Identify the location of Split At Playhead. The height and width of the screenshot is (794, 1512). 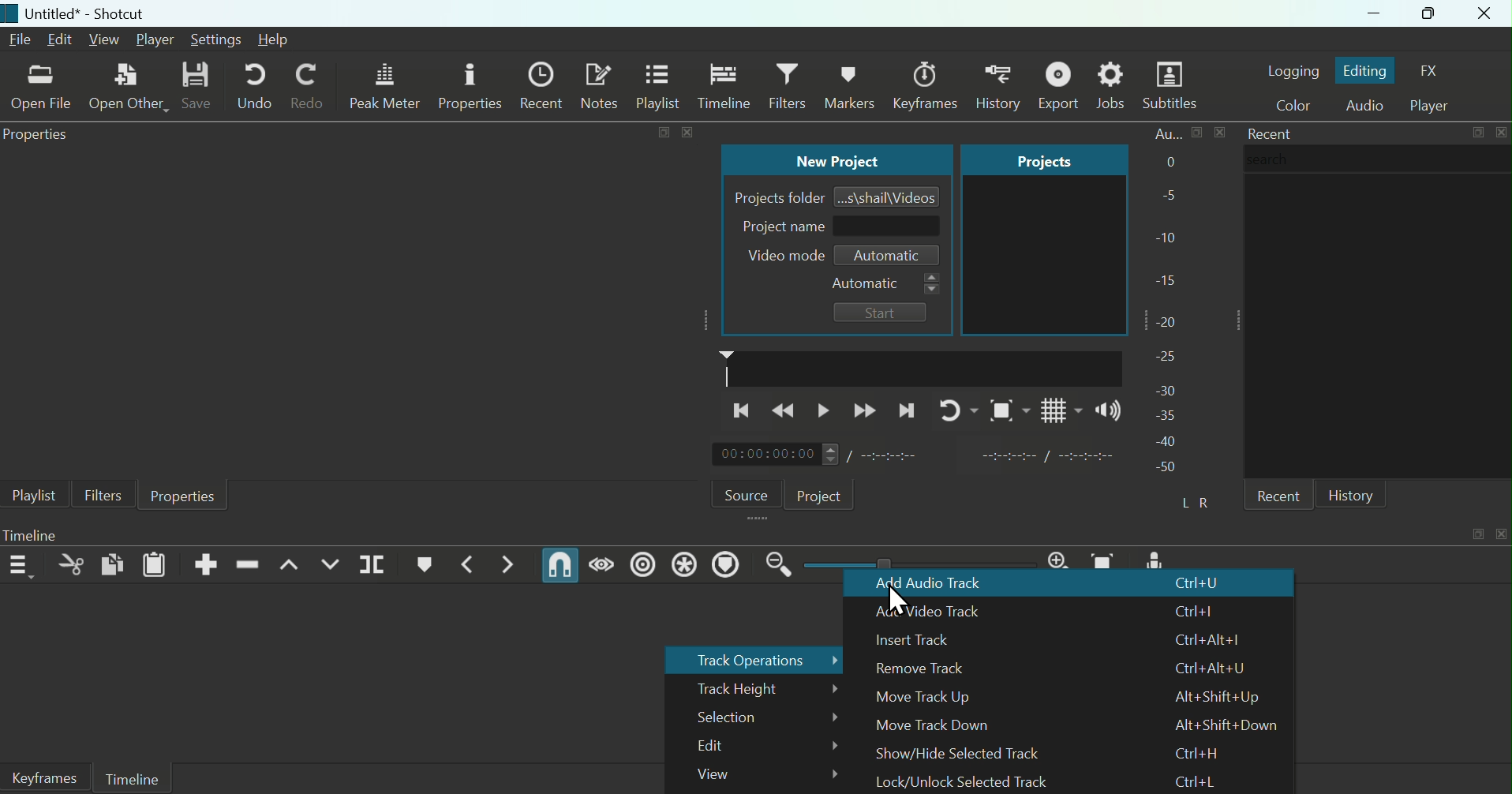
(374, 565).